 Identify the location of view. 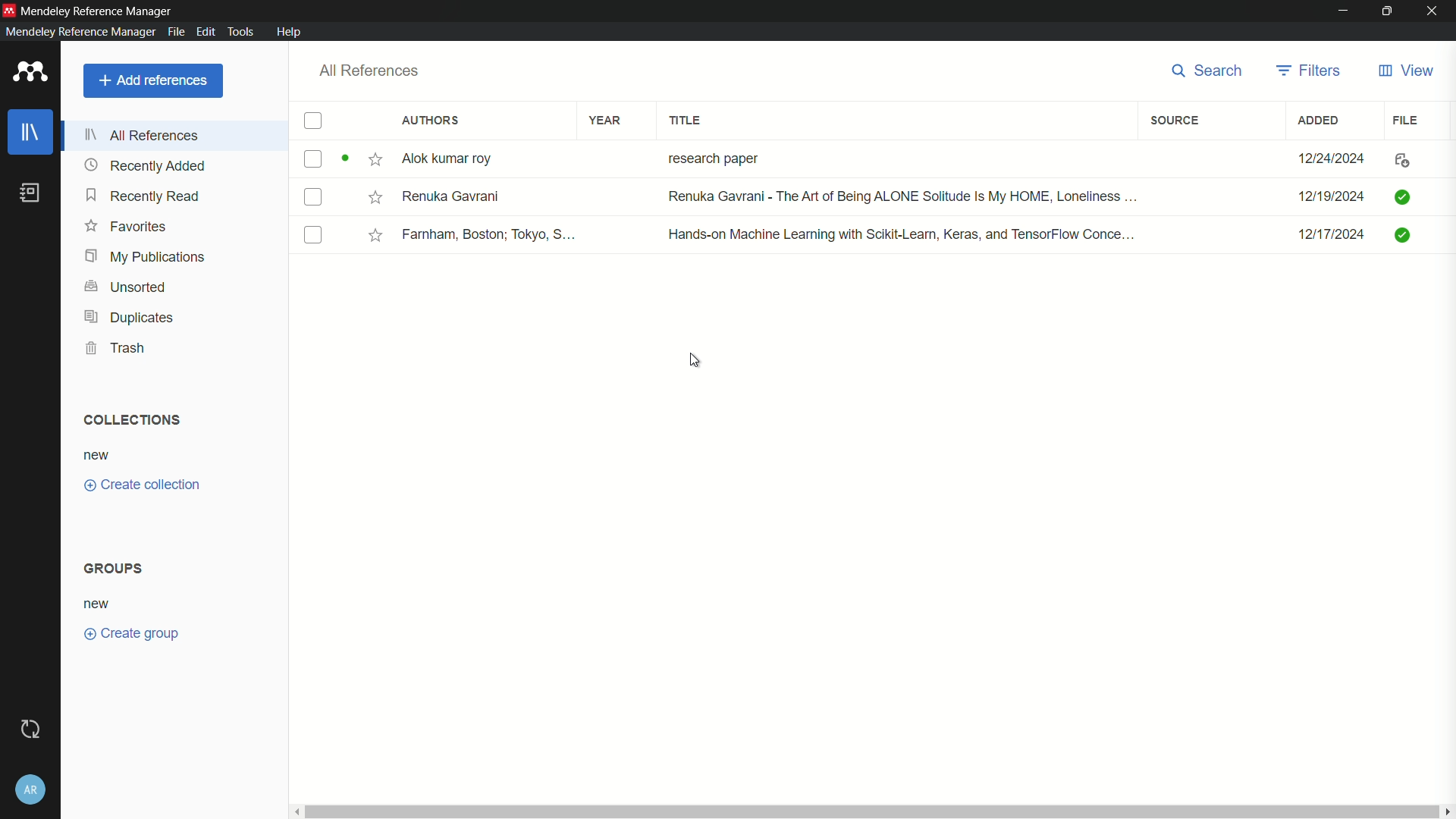
(1405, 71).